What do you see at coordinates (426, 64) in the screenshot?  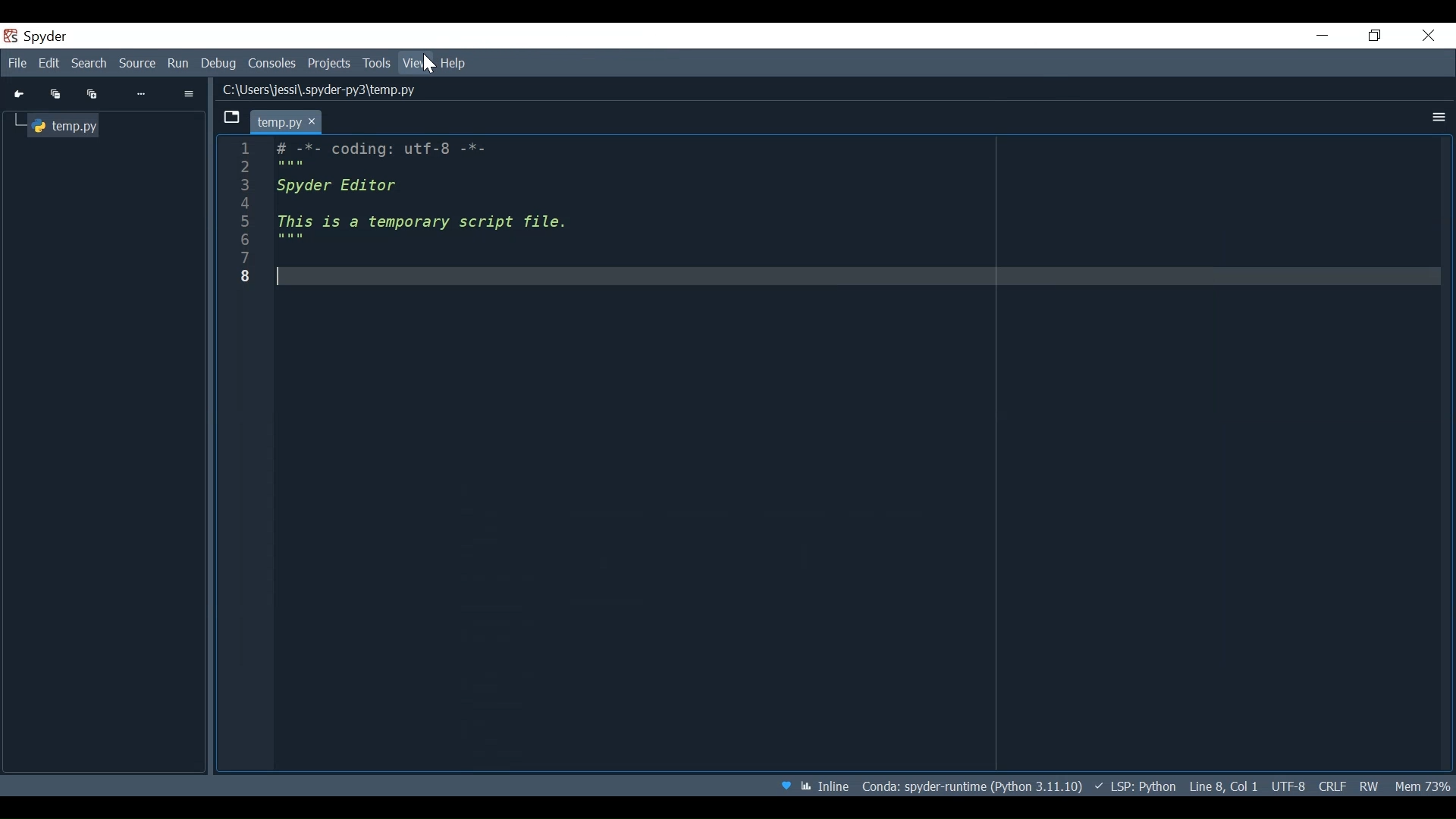 I see `Cursor` at bounding box center [426, 64].